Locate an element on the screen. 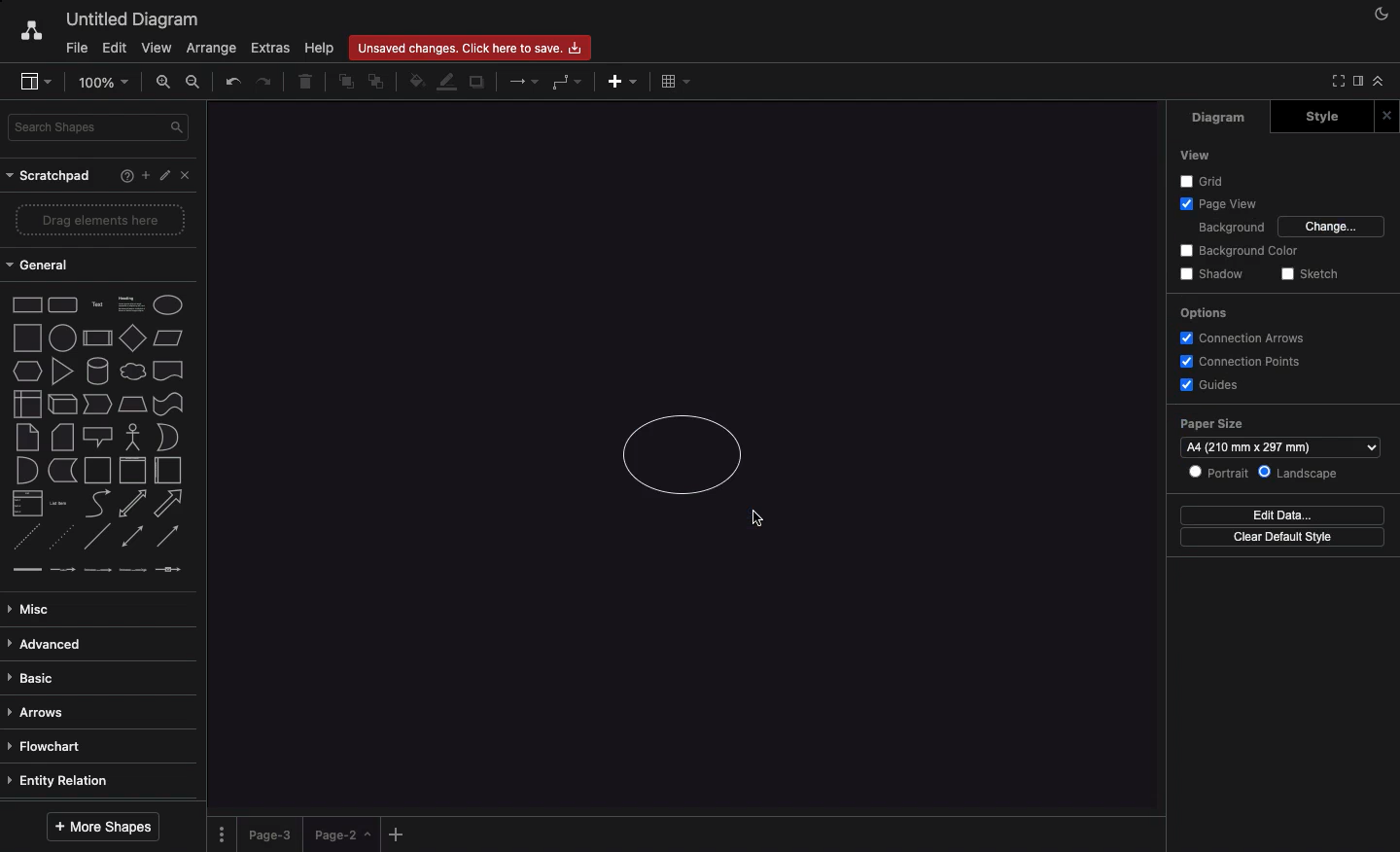 The width and height of the screenshot is (1400, 852). Fill  is located at coordinates (415, 79).